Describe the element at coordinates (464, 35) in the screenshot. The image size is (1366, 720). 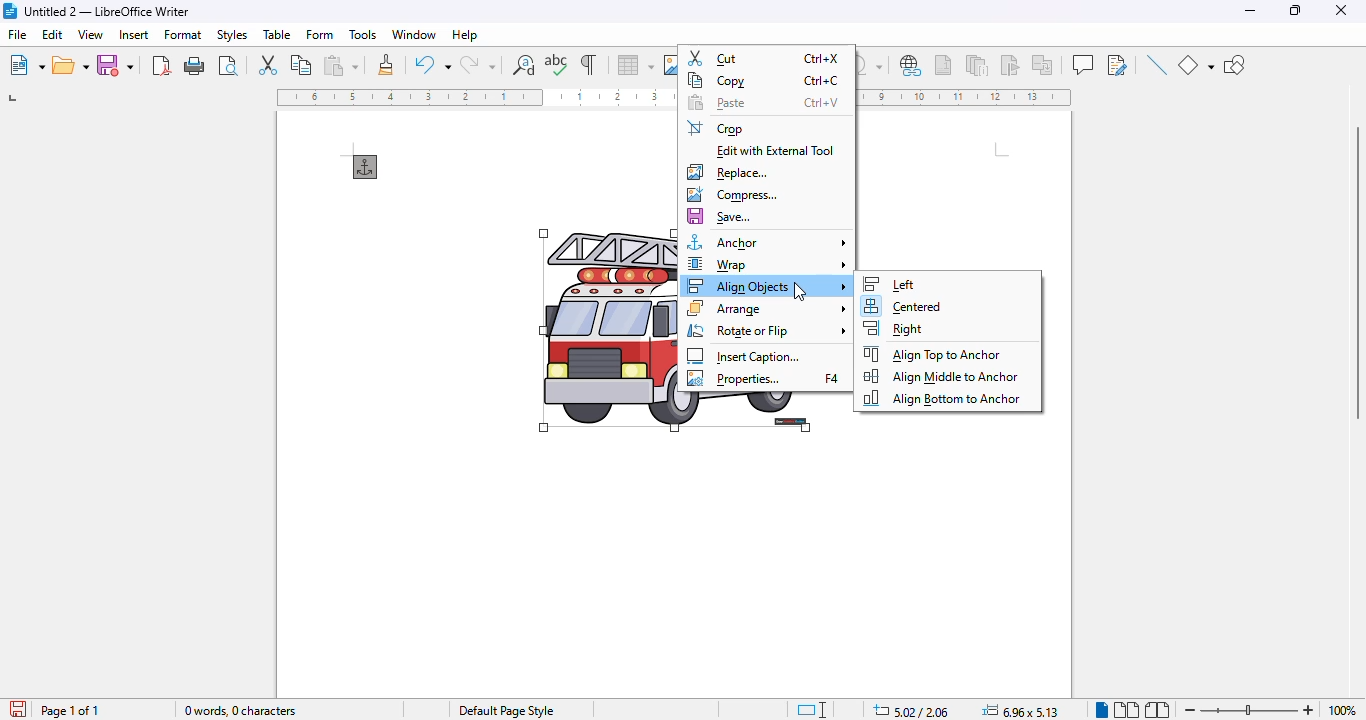
I see `help` at that location.